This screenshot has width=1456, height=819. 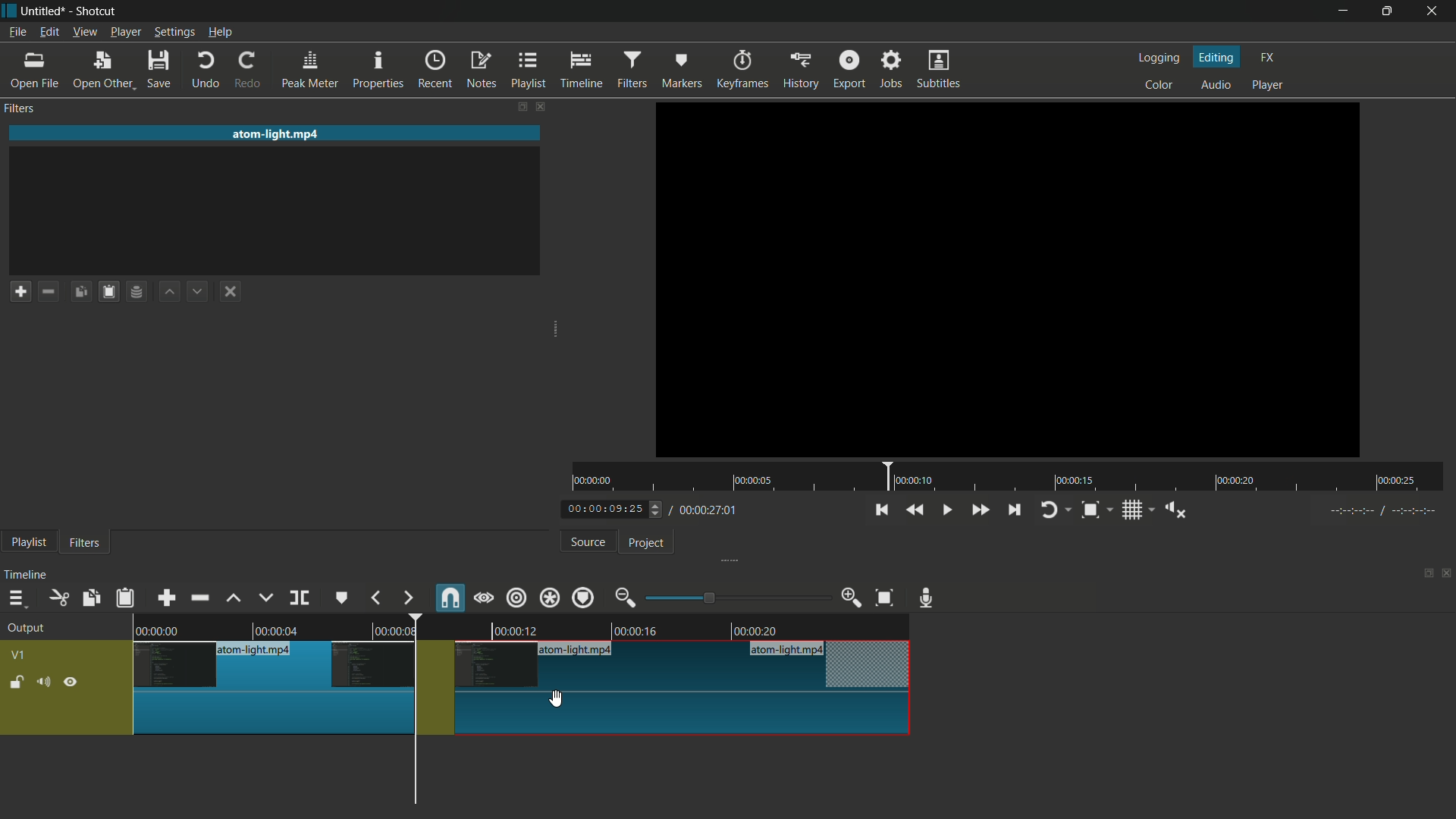 What do you see at coordinates (1056, 510) in the screenshot?
I see `toggle player looping` at bounding box center [1056, 510].